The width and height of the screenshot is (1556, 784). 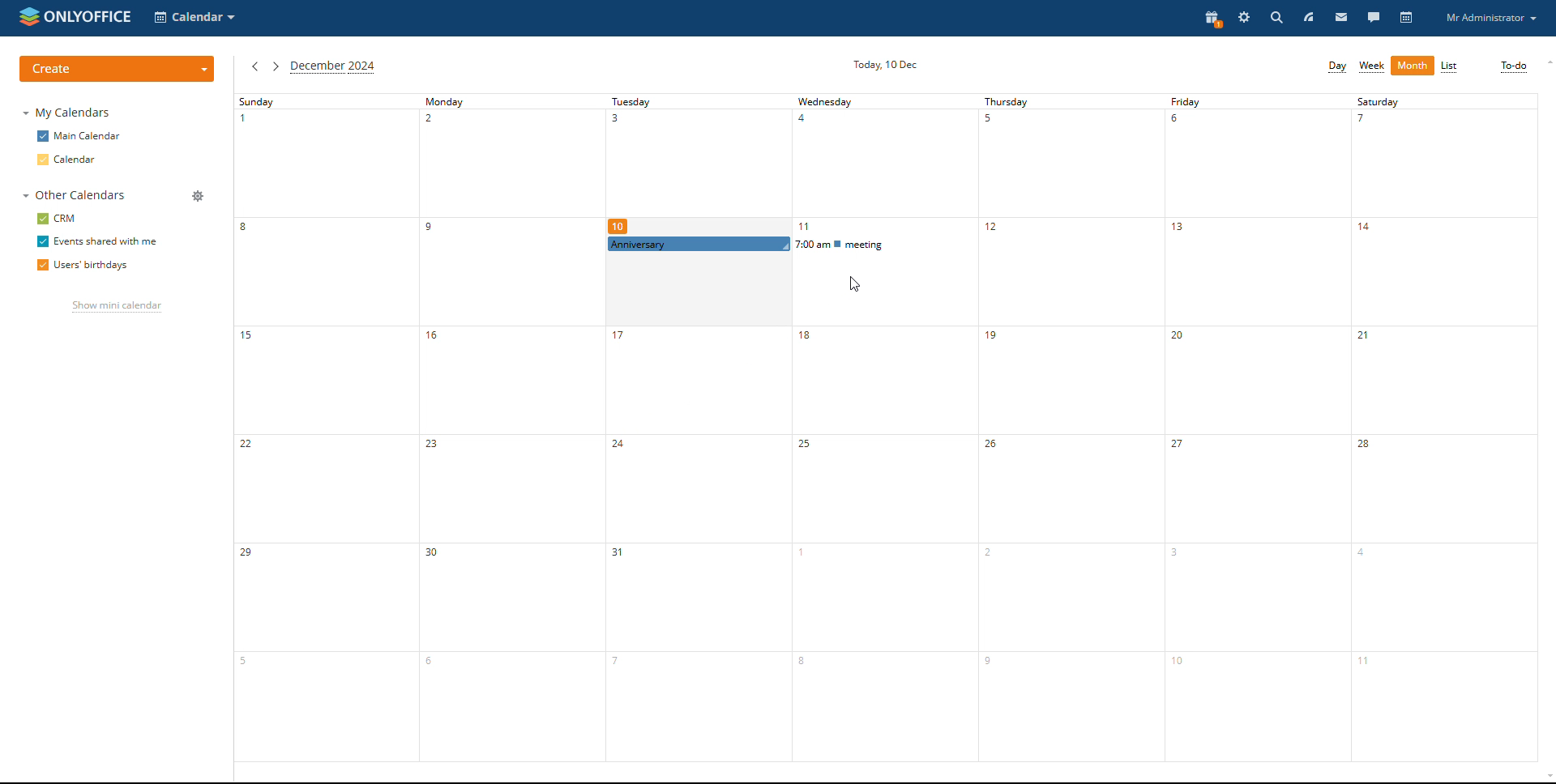 What do you see at coordinates (1341, 19) in the screenshot?
I see `mail` at bounding box center [1341, 19].